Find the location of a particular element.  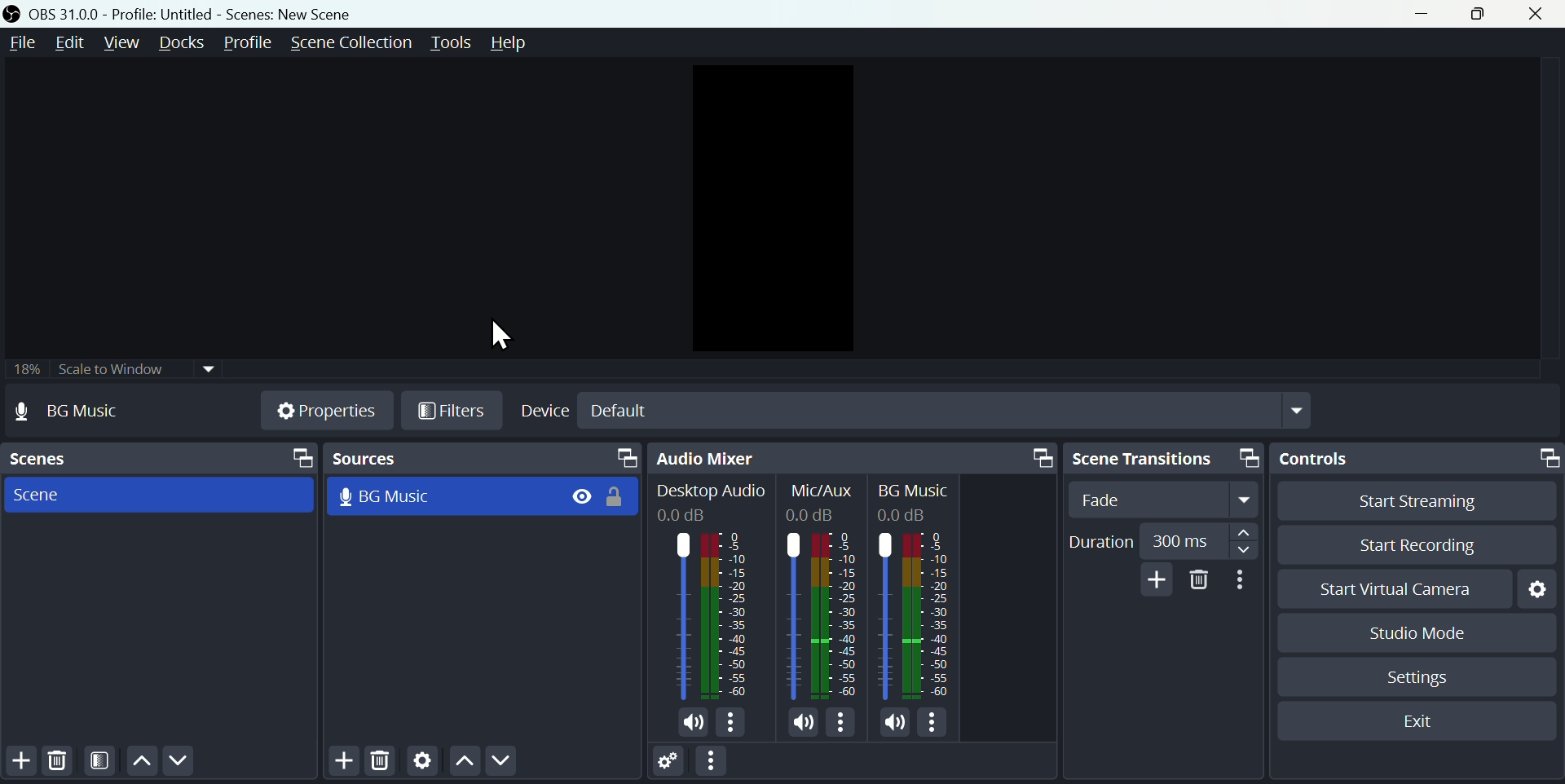

Options is located at coordinates (933, 722).